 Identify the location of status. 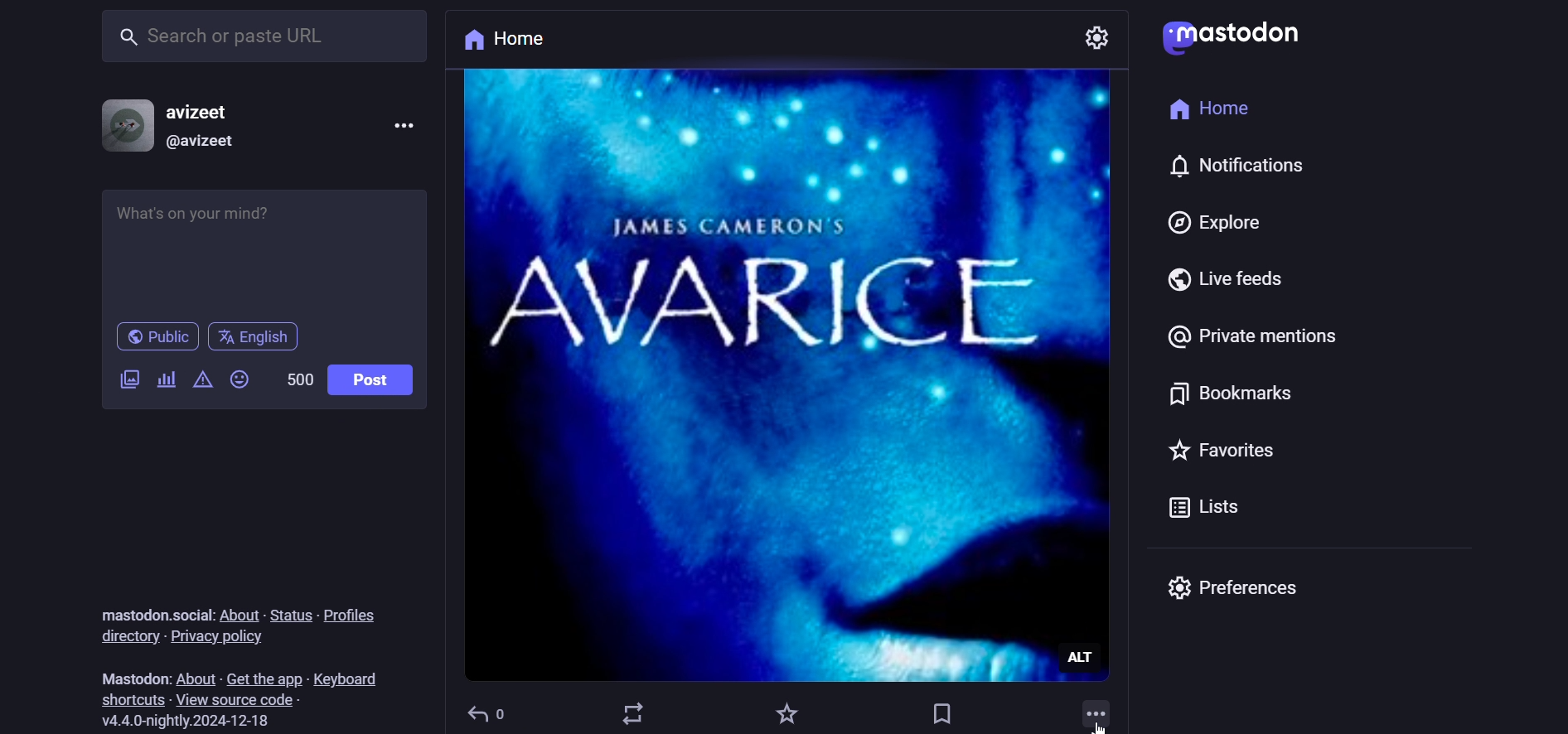
(289, 616).